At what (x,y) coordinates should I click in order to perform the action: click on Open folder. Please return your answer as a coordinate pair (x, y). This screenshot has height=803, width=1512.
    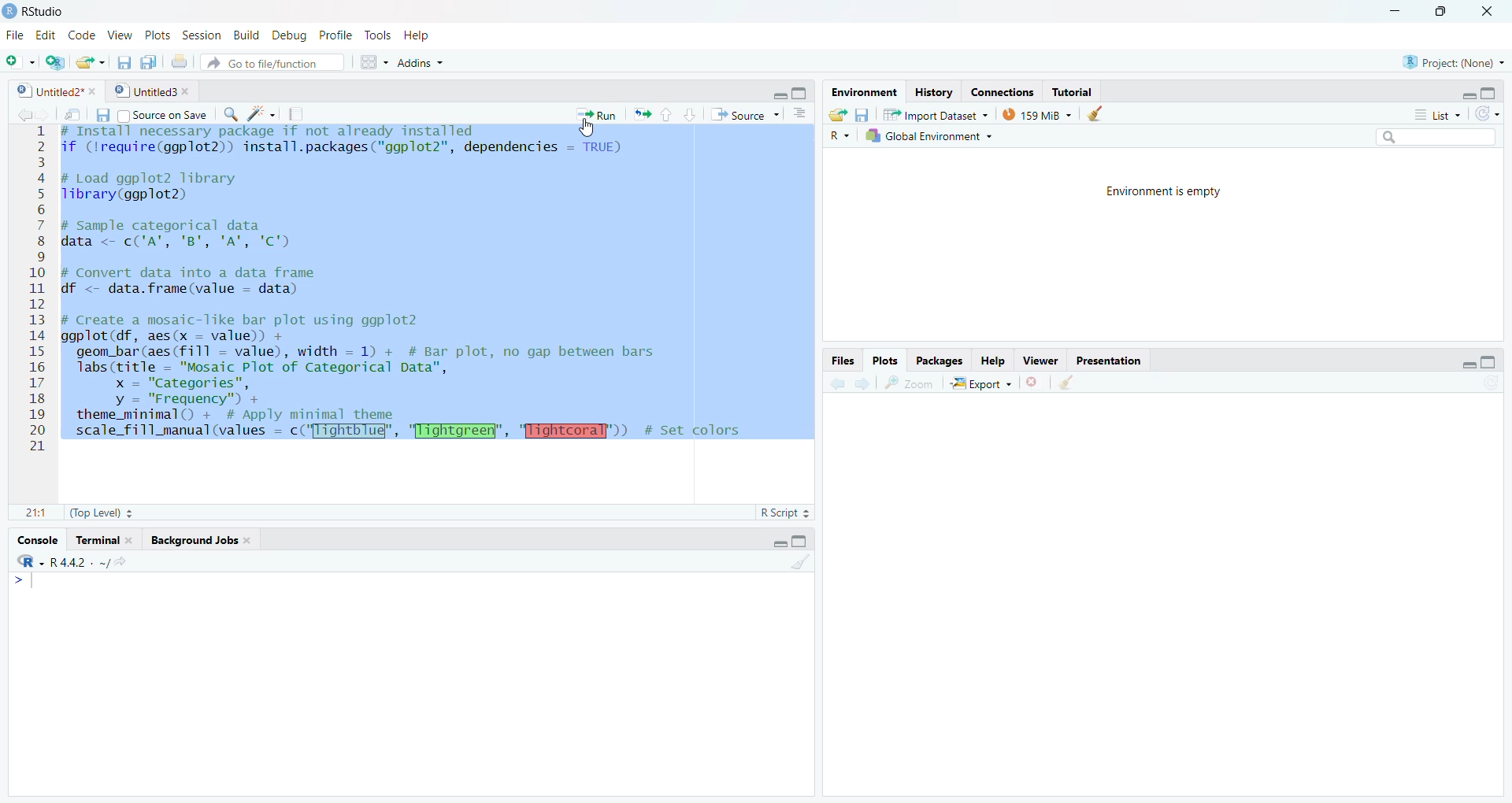
    Looking at the image, I should click on (89, 62).